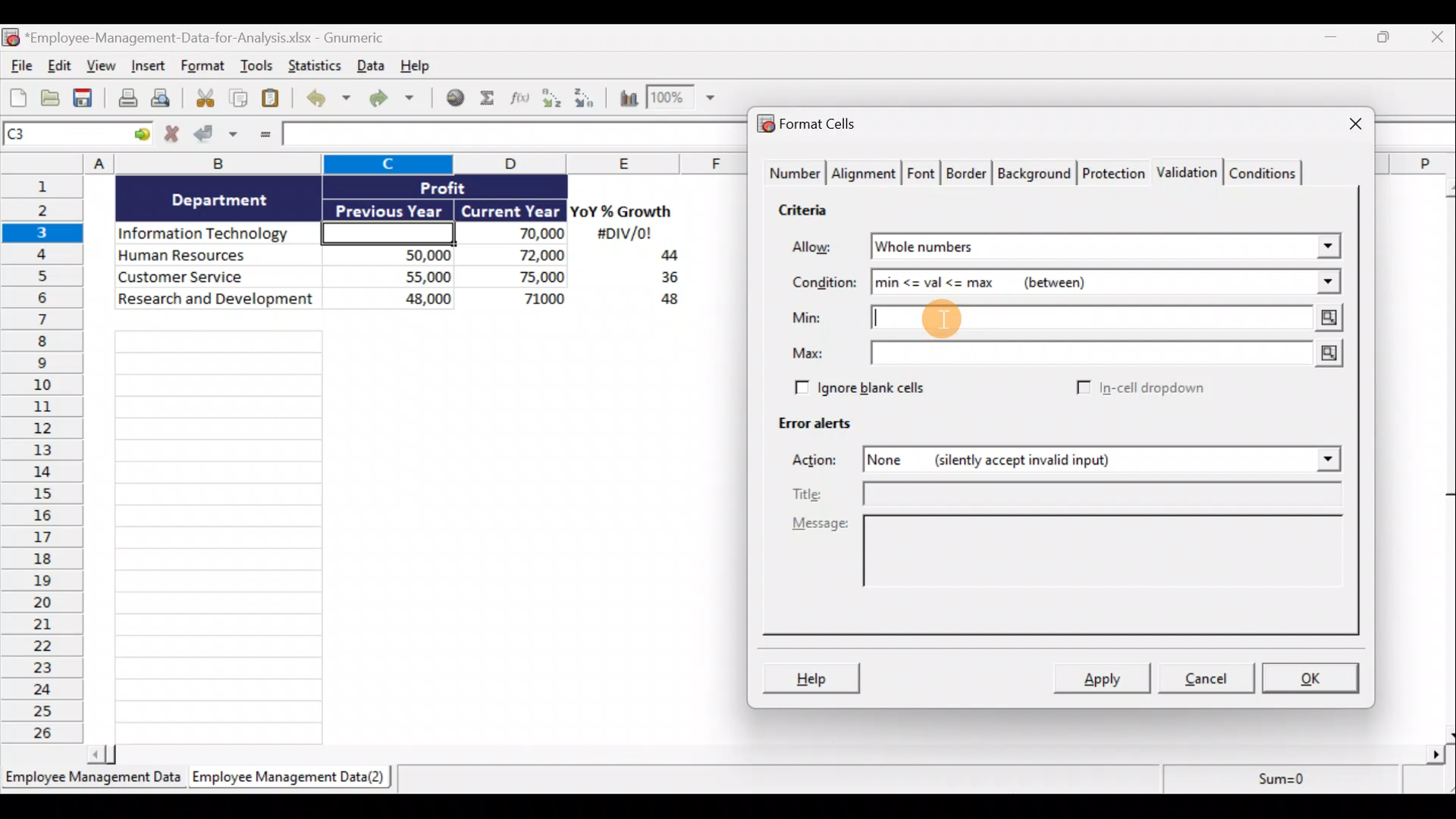 This screenshot has height=819, width=1456. I want to click on Statistics, so click(313, 65).